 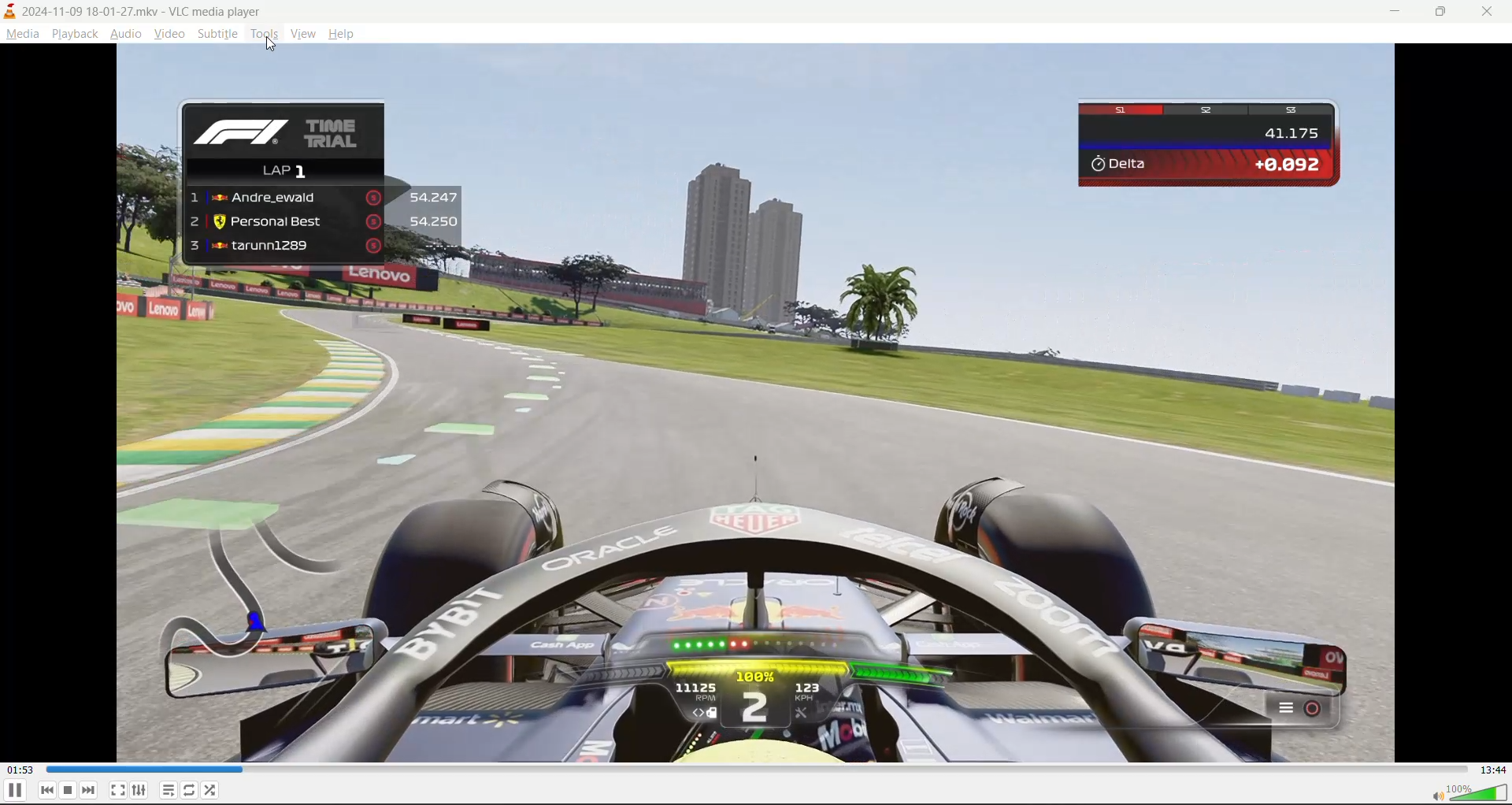 What do you see at coordinates (169, 37) in the screenshot?
I see `video` at bounding box center [169, 37].